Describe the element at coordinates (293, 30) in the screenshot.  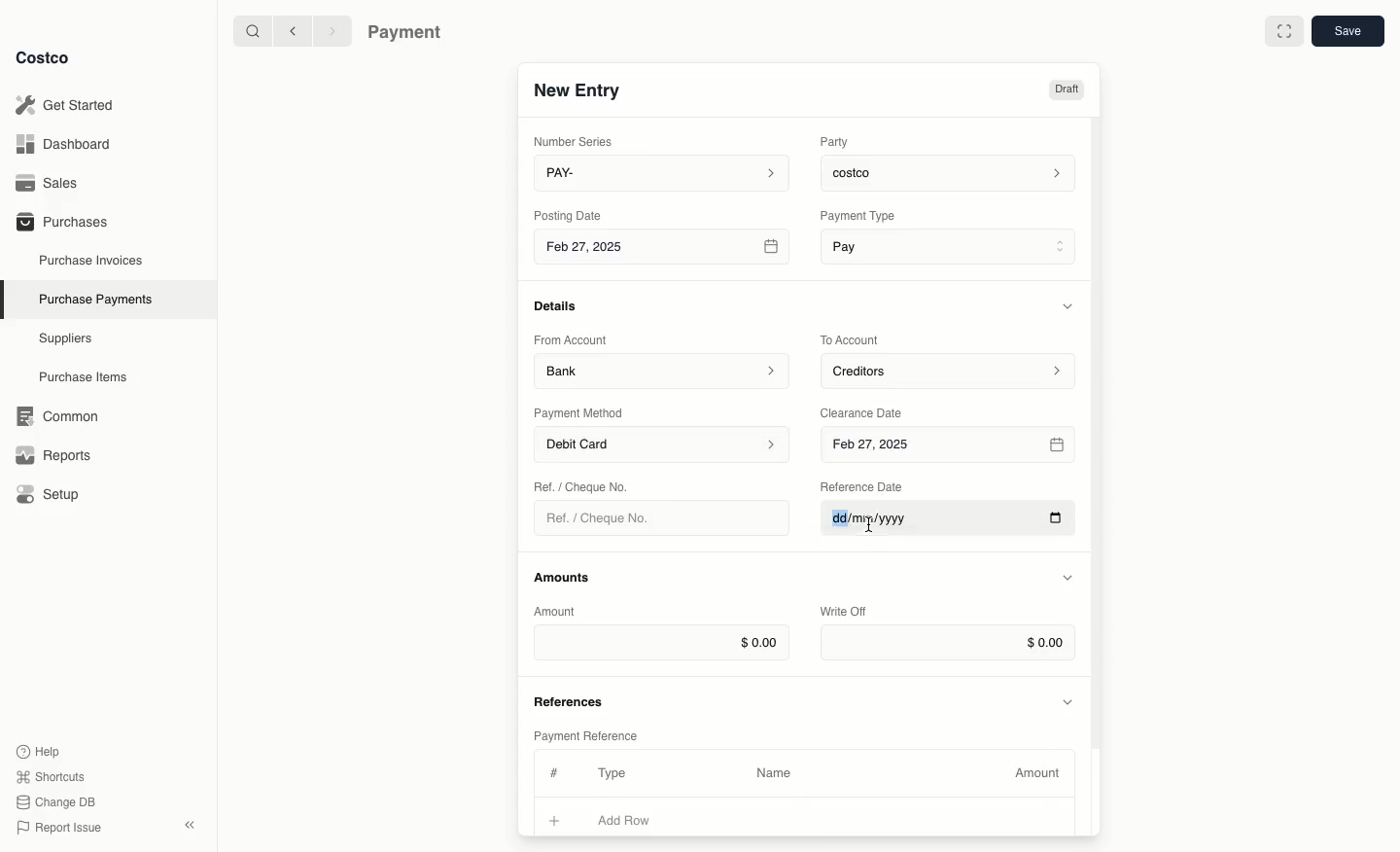
I see `Back` at that location.